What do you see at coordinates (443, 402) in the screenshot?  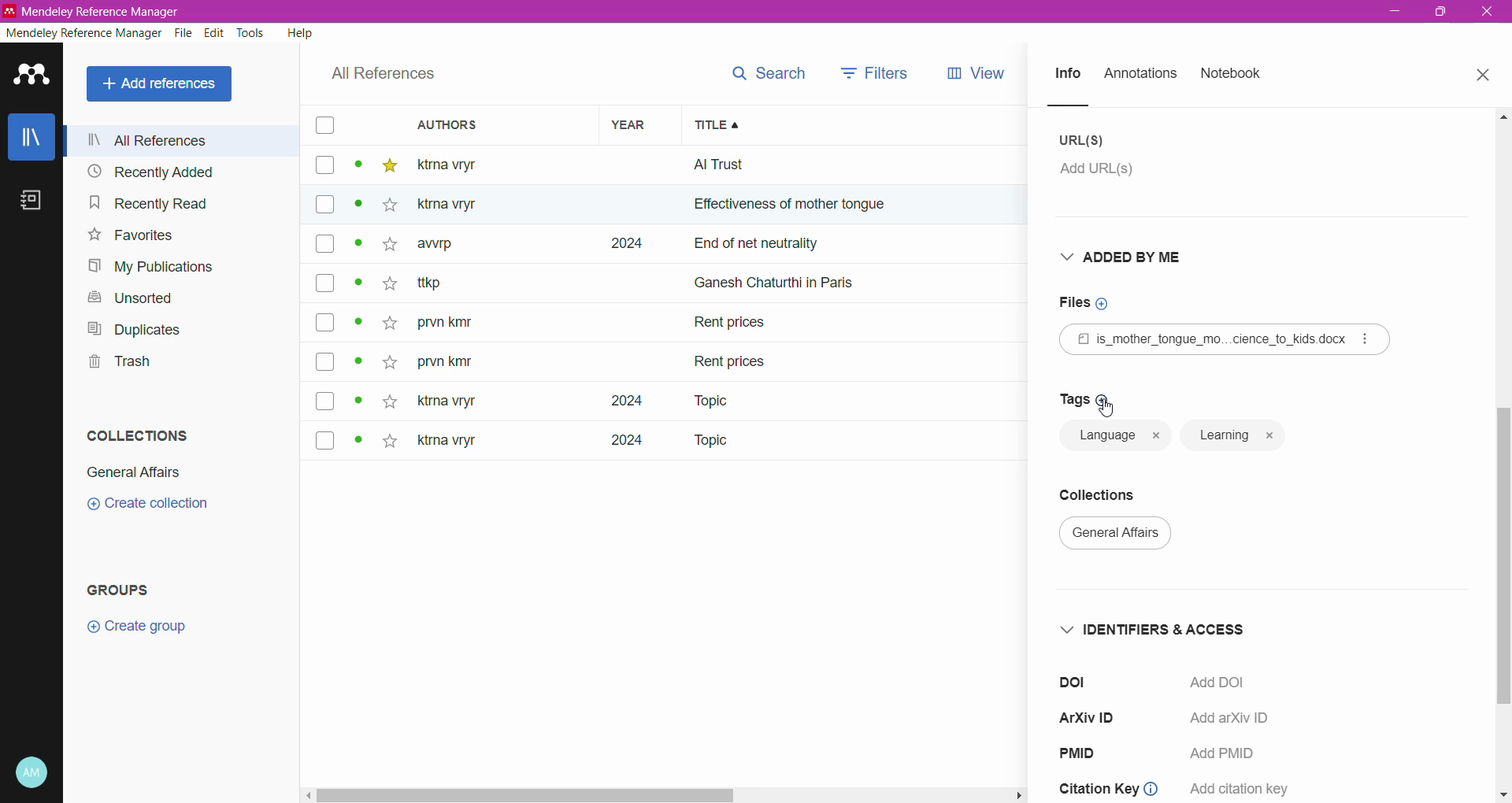 I see `ktna vryt ` at bounding box center [443, 402].